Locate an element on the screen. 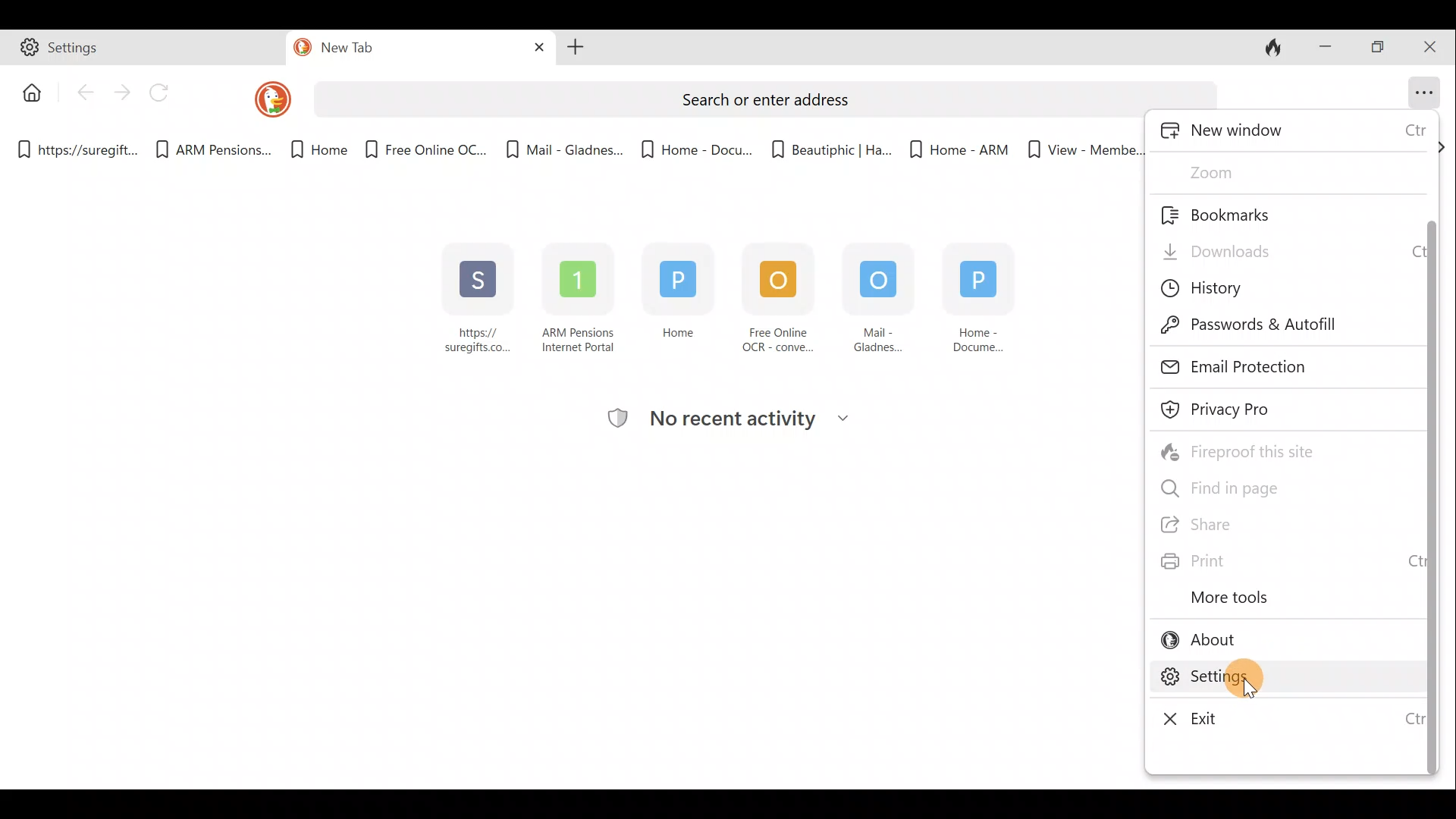  Fireproof this site is located at coordinates (1237, 452).